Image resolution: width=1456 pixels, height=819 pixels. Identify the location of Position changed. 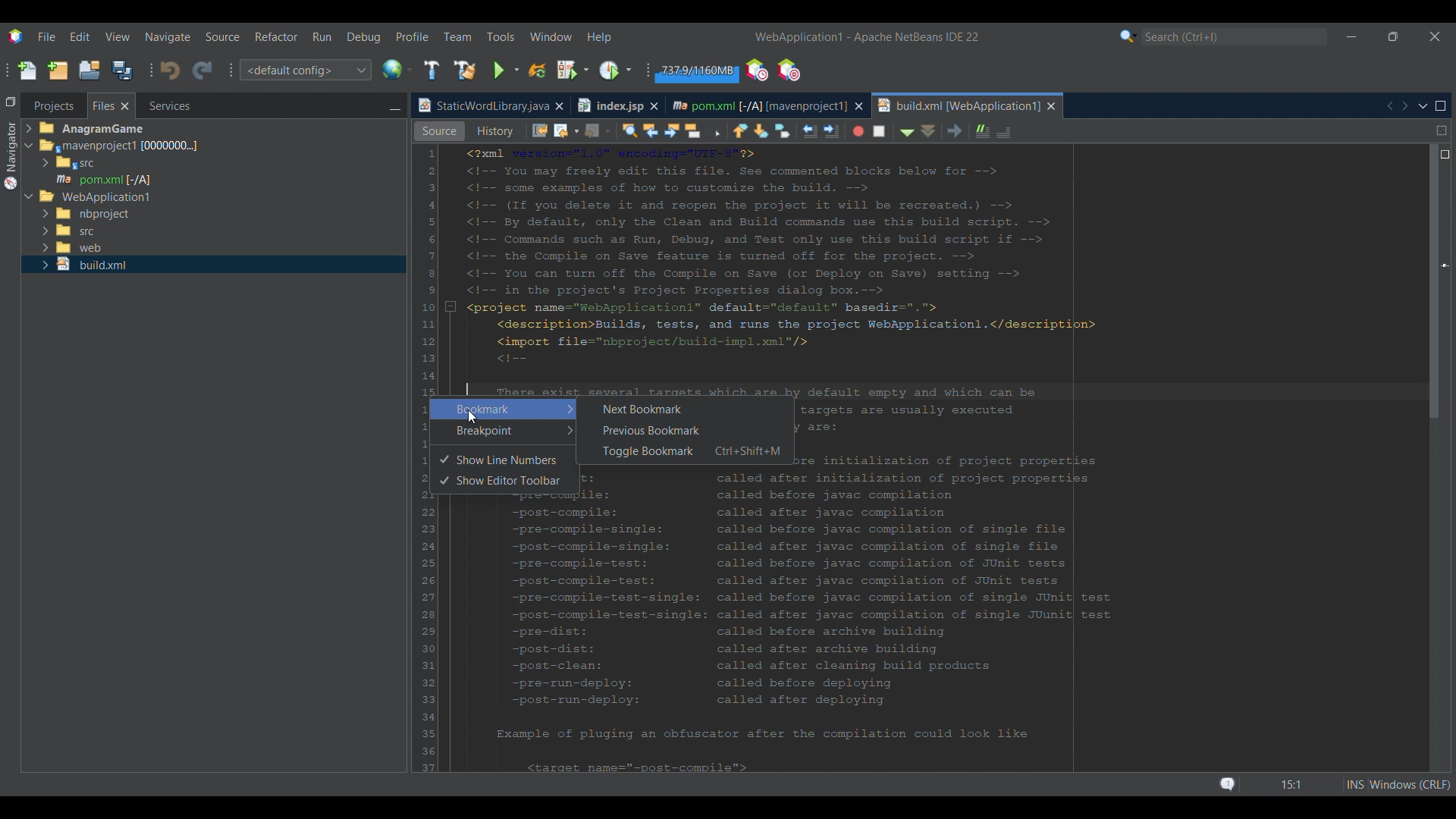
(1445, 266).